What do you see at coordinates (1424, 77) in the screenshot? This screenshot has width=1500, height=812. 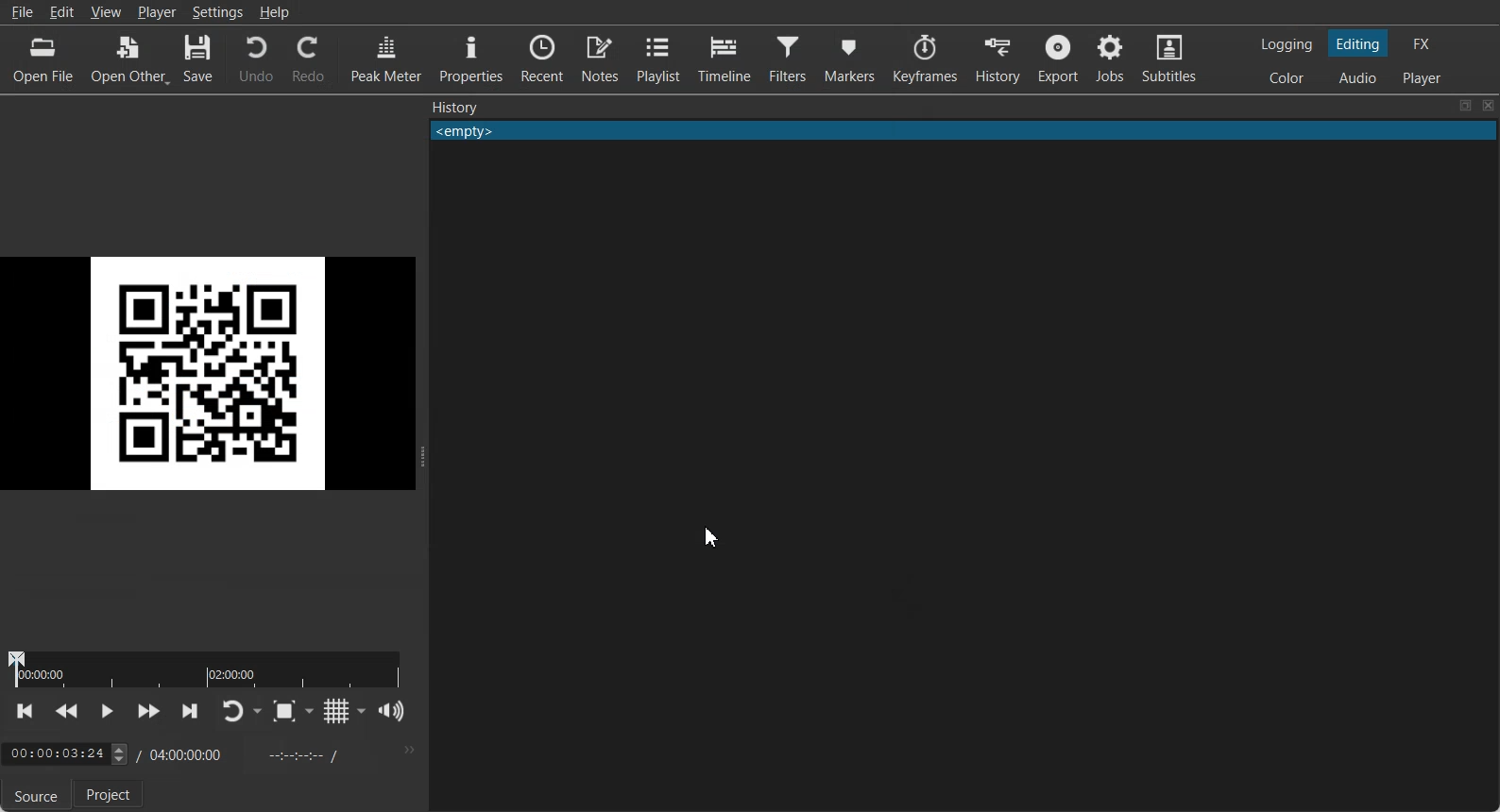 I see `Switching to Player Only Layout` at bounding box center [1424, 77].